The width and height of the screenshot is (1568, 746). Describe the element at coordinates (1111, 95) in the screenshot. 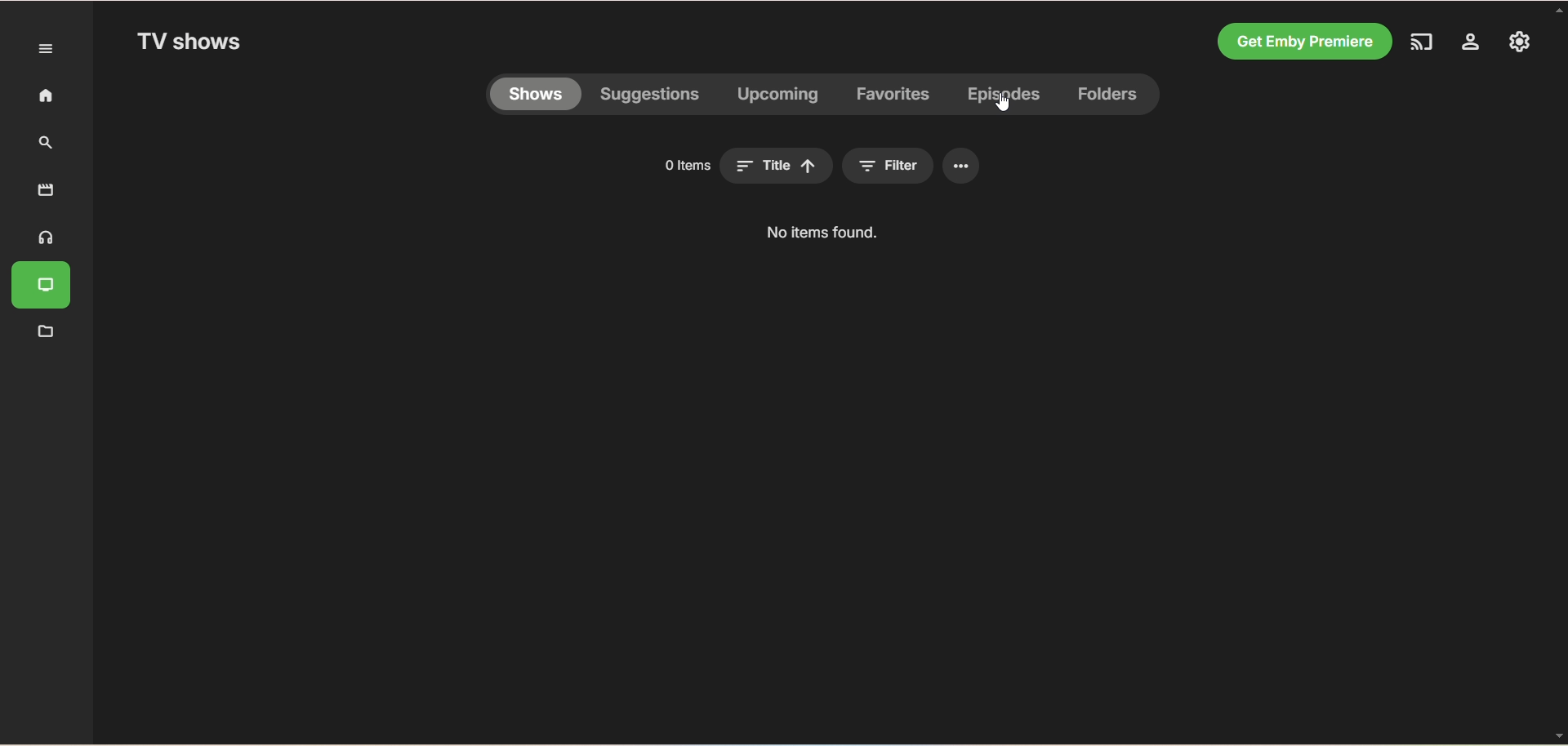

I see `folders` at that location.